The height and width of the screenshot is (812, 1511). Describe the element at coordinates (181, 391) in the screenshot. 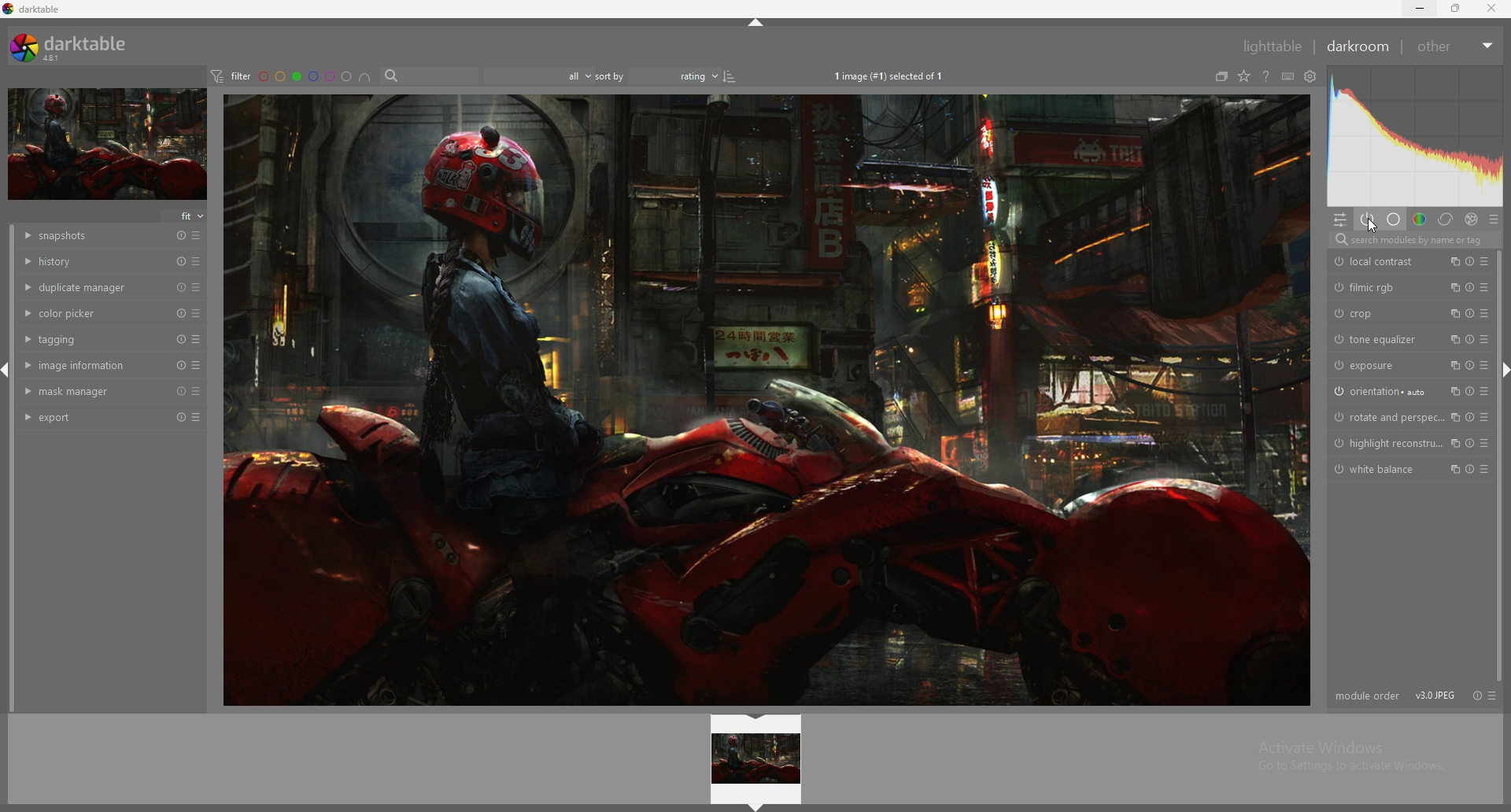

I see `reset` at that location.